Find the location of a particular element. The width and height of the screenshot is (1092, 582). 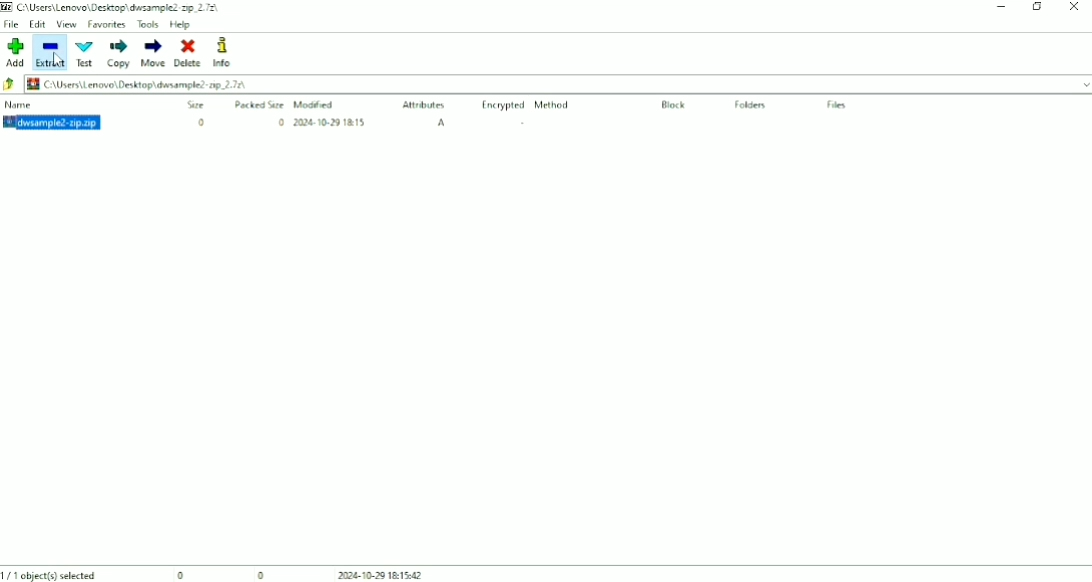

Back is located at coordinates (10, 85).